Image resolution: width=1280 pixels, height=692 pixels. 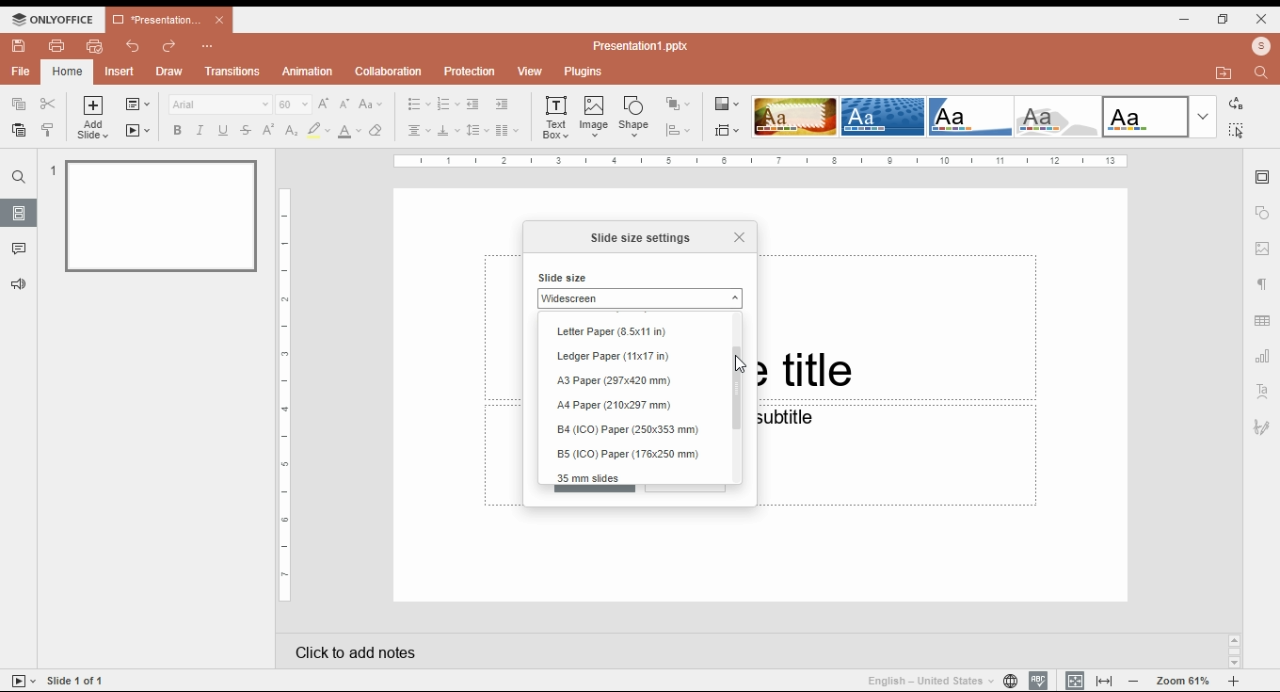 What do you see at coordinates (377, 131) in the screenshot?
I see `erase` at bounding box center [377, 131].